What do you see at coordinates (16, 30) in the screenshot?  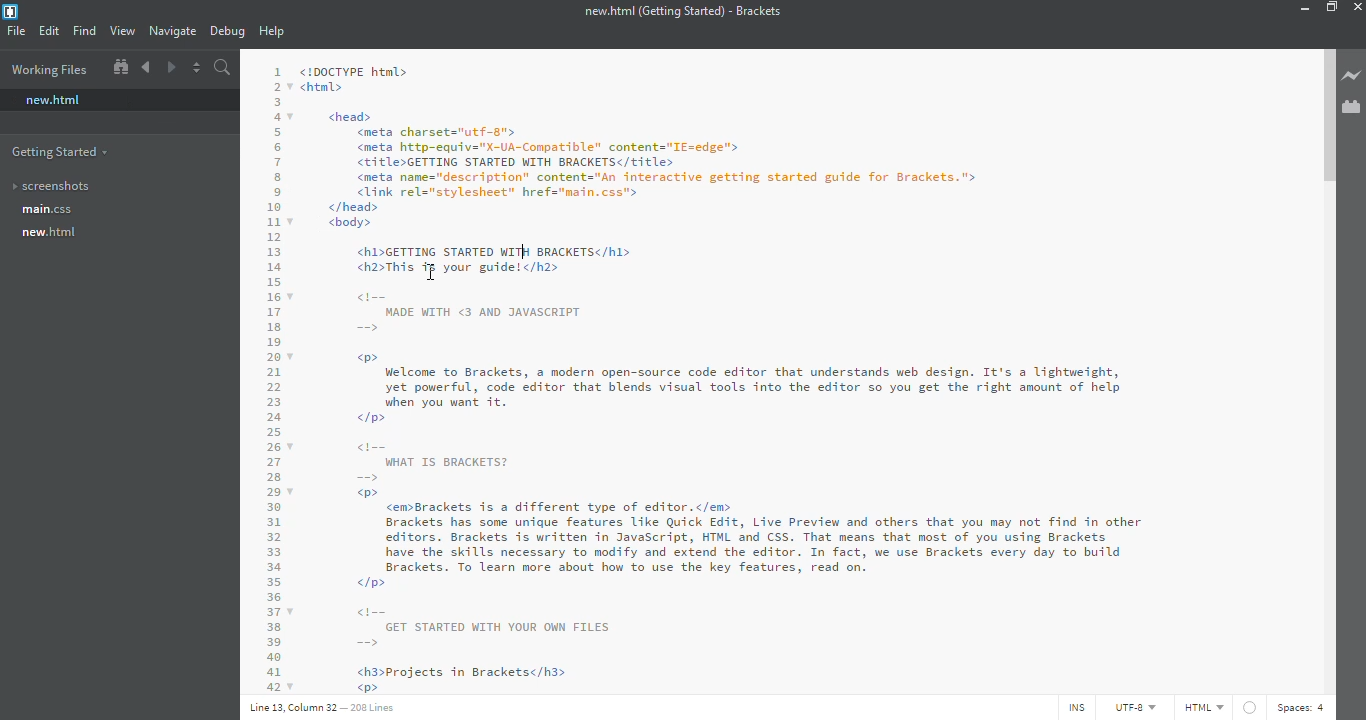 I see `file` at bounding box center [16, 30].